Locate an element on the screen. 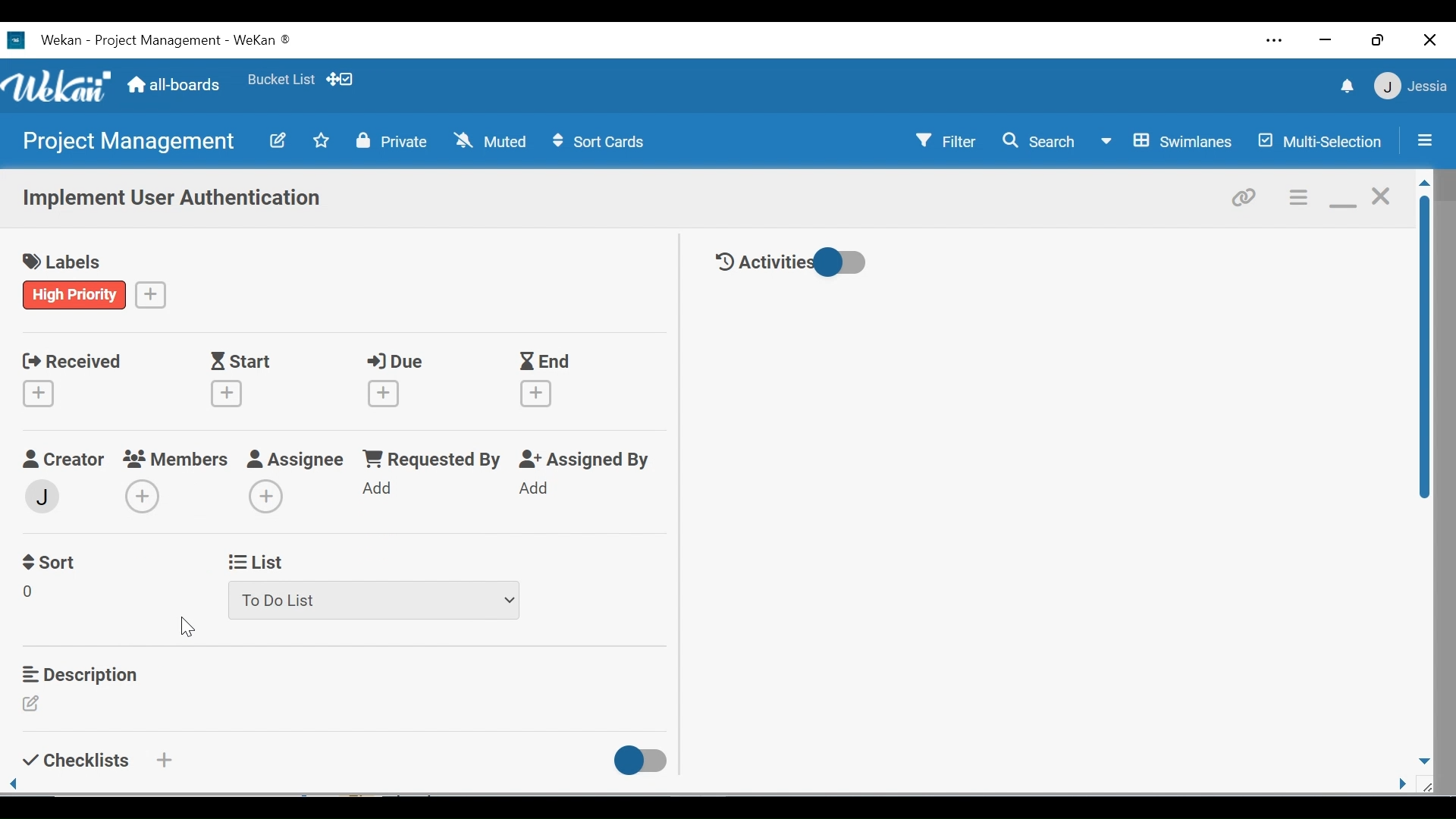 This screenshot has height=819, width=1456. Restore is located at coordinates (1376, 41).